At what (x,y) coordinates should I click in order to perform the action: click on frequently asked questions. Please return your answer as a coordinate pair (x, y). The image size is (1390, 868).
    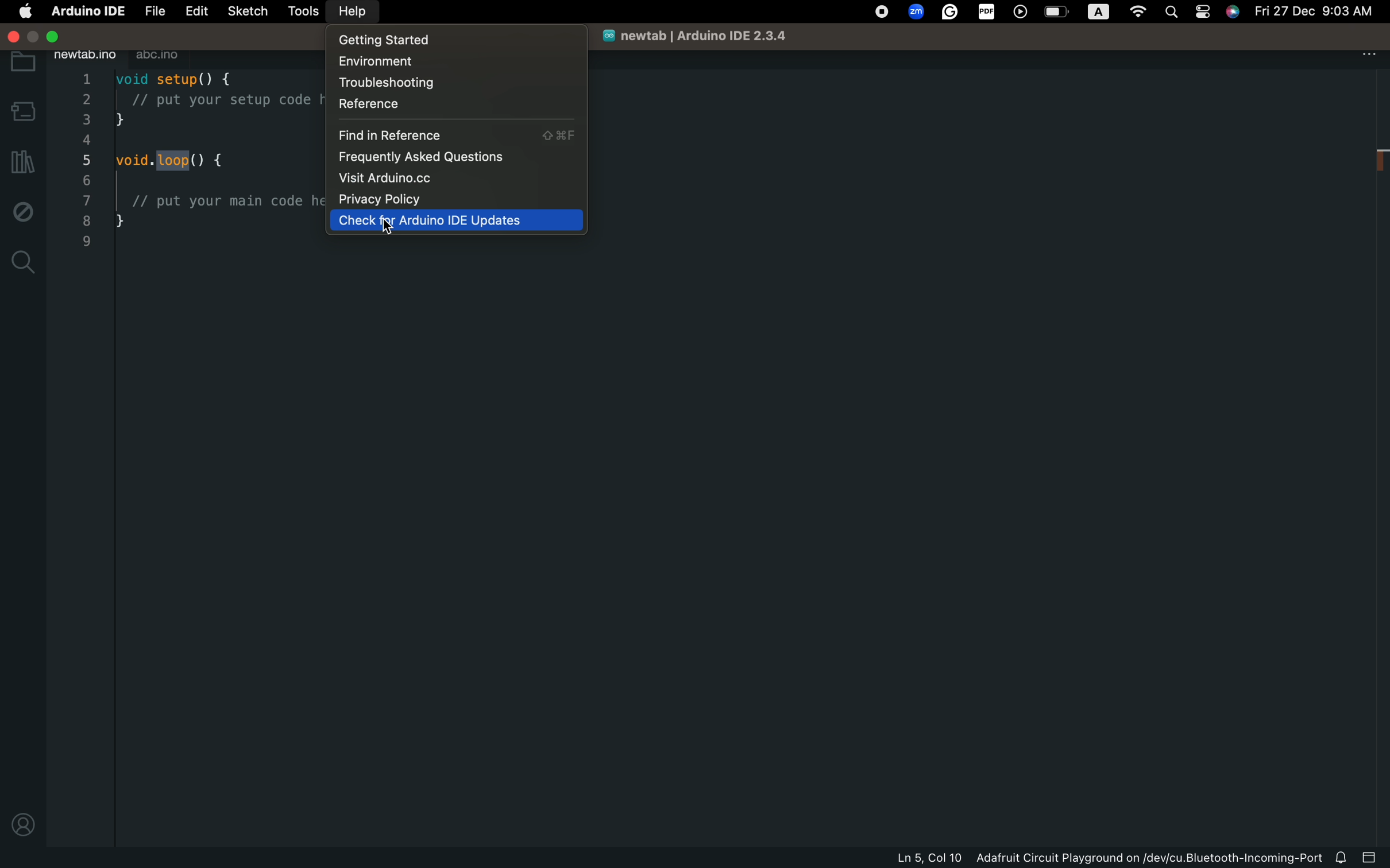
    Looking at the image, I should click on (442, 156).